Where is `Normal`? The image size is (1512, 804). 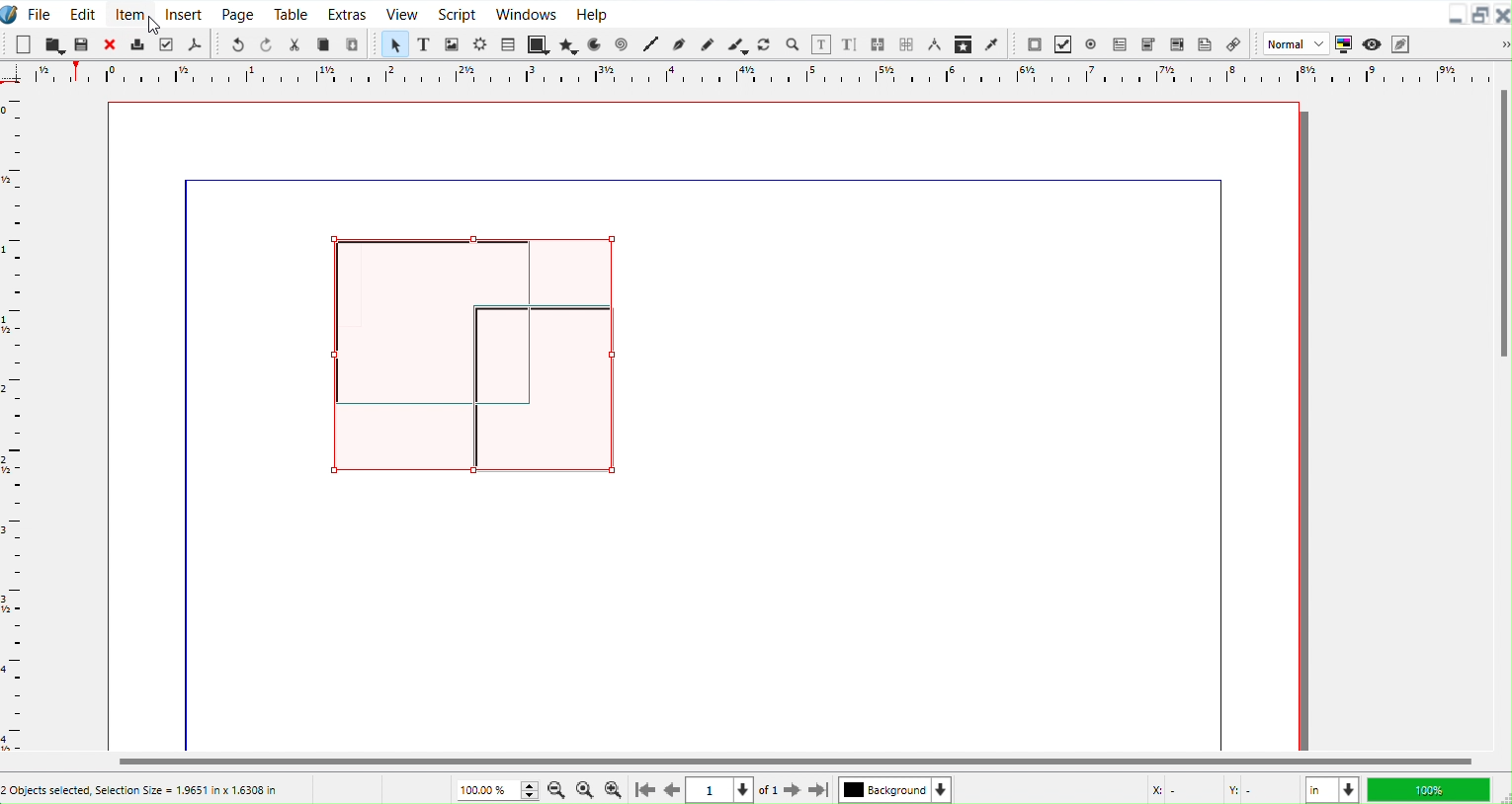
Normal is located at coordinates (1294, 43).